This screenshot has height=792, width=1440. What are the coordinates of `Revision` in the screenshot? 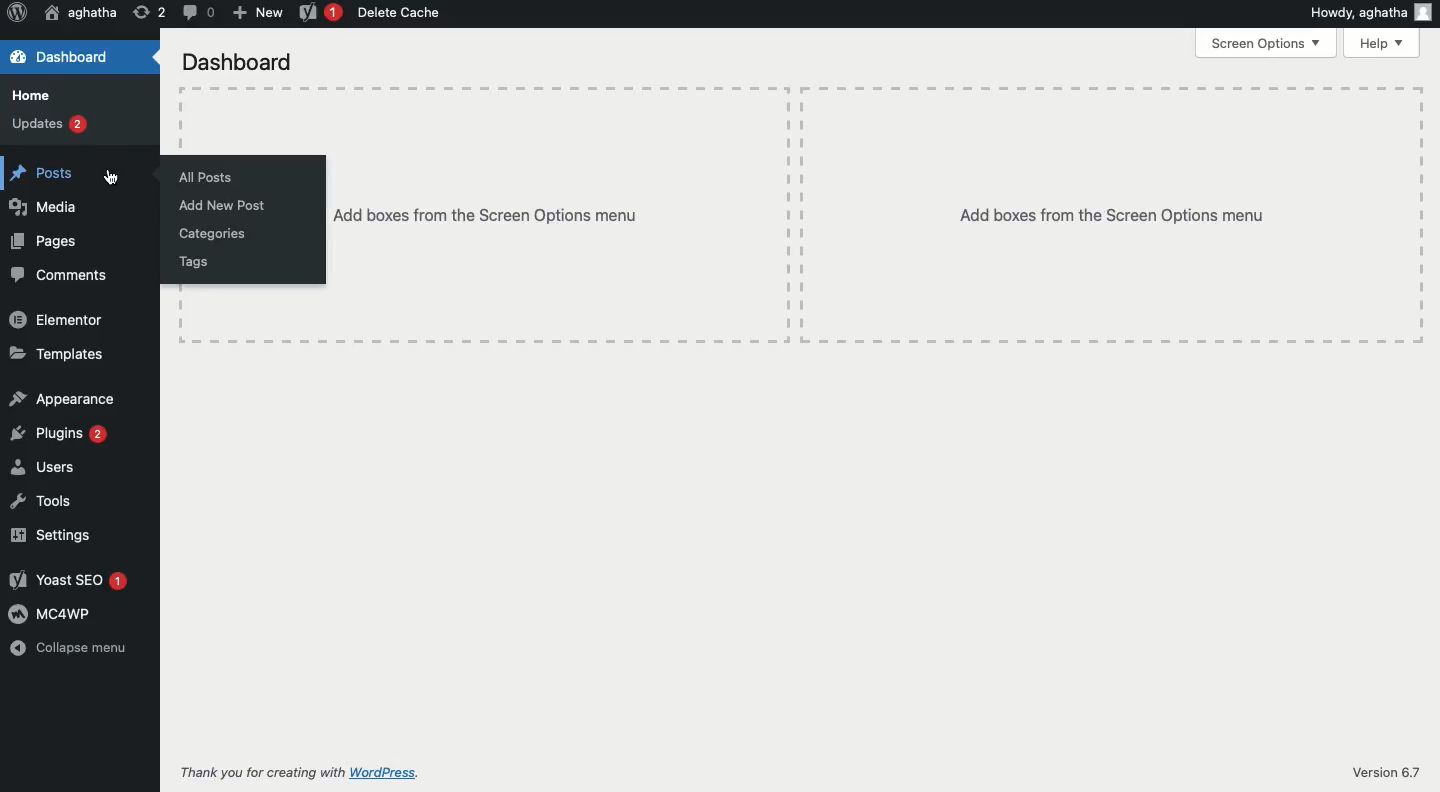 It's located at (149, 12).